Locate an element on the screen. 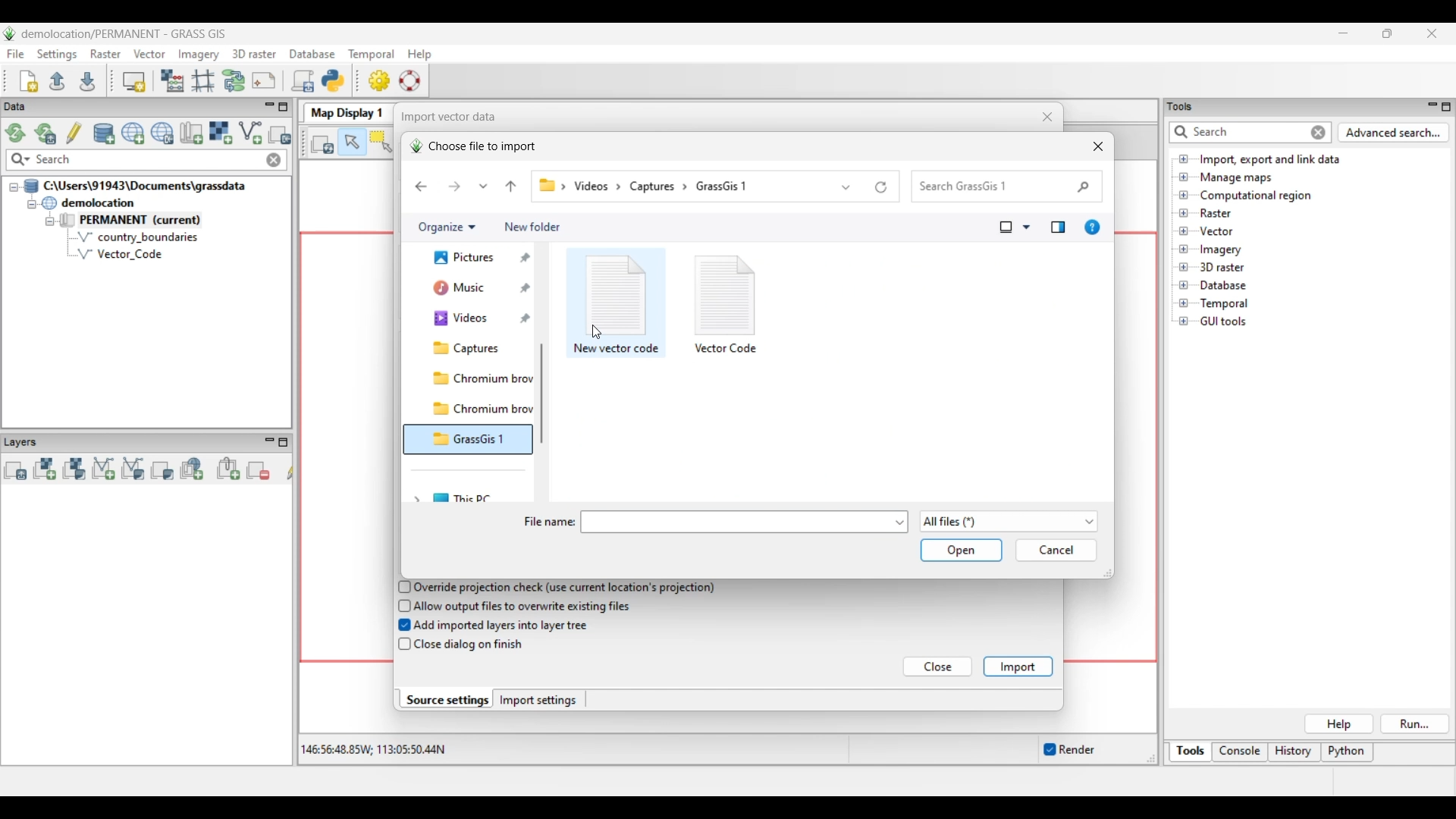 Image resolution: width=1456 pixels, height=819 pixels. GrassGis 1 folder highlighted as the current folder is located at coordinates (468, 440).